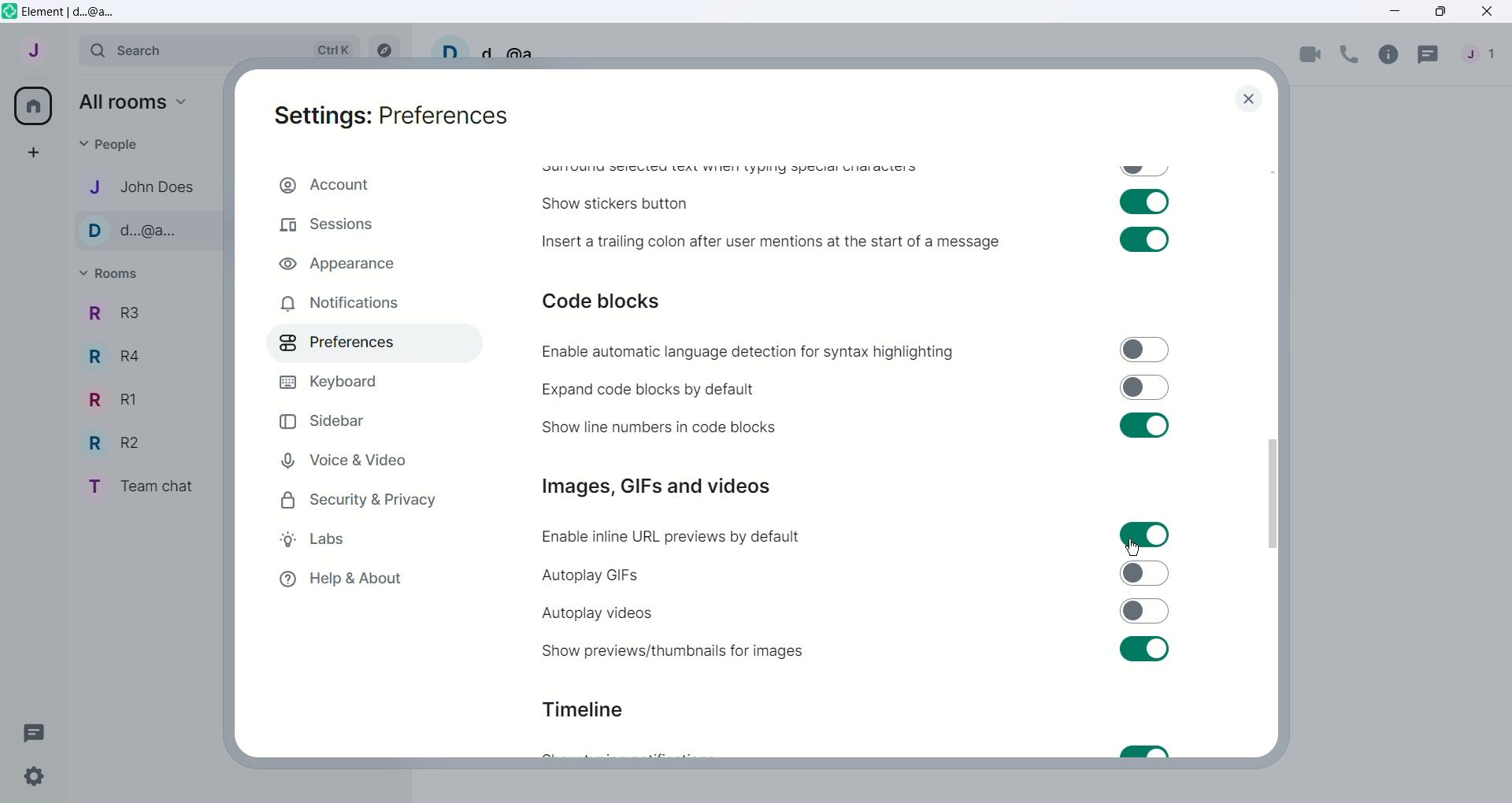  I want to click on Notifications, so click(361, 303).